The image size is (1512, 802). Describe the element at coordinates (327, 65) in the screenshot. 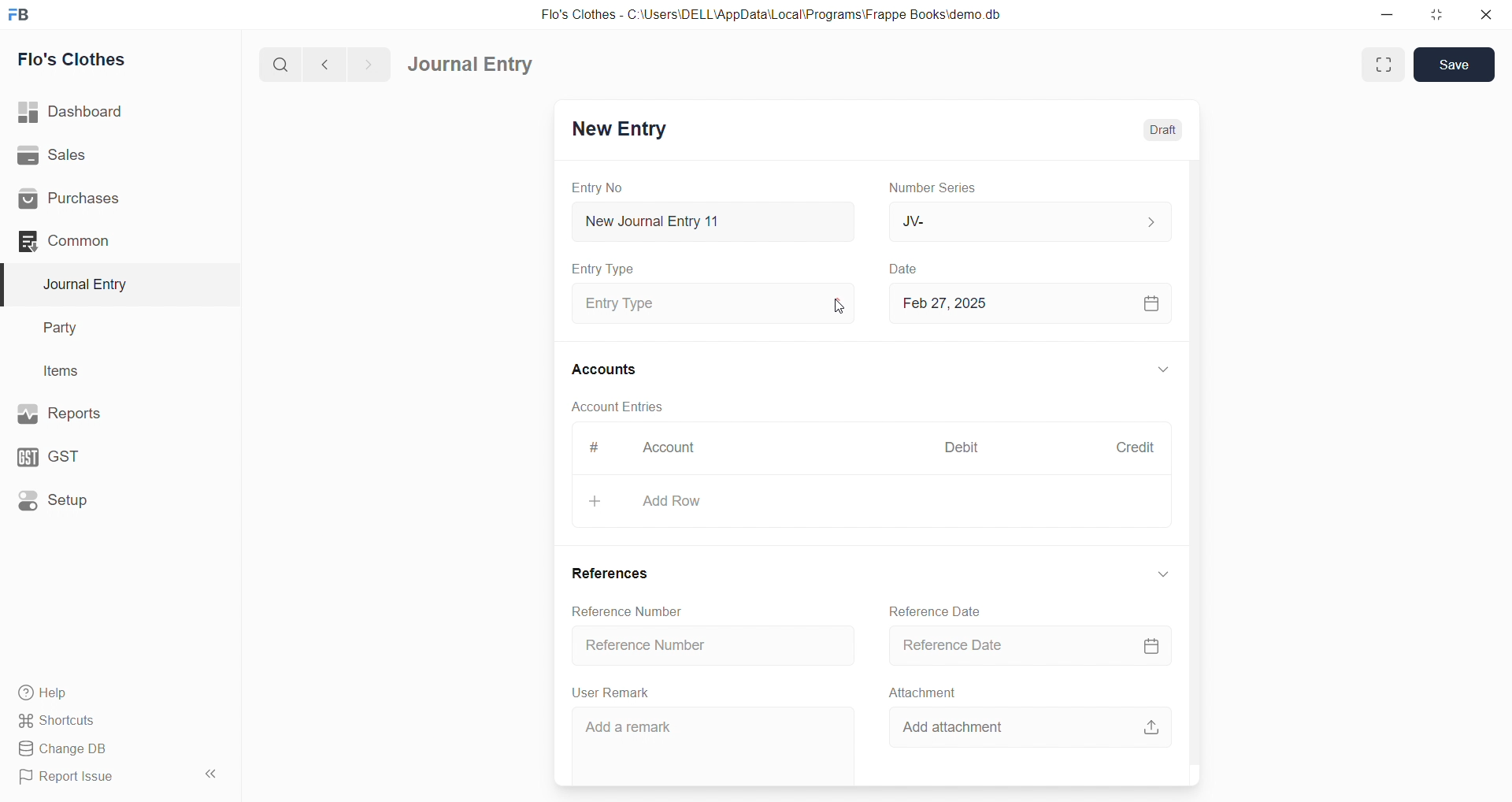

I see `navigate backward` at that location.